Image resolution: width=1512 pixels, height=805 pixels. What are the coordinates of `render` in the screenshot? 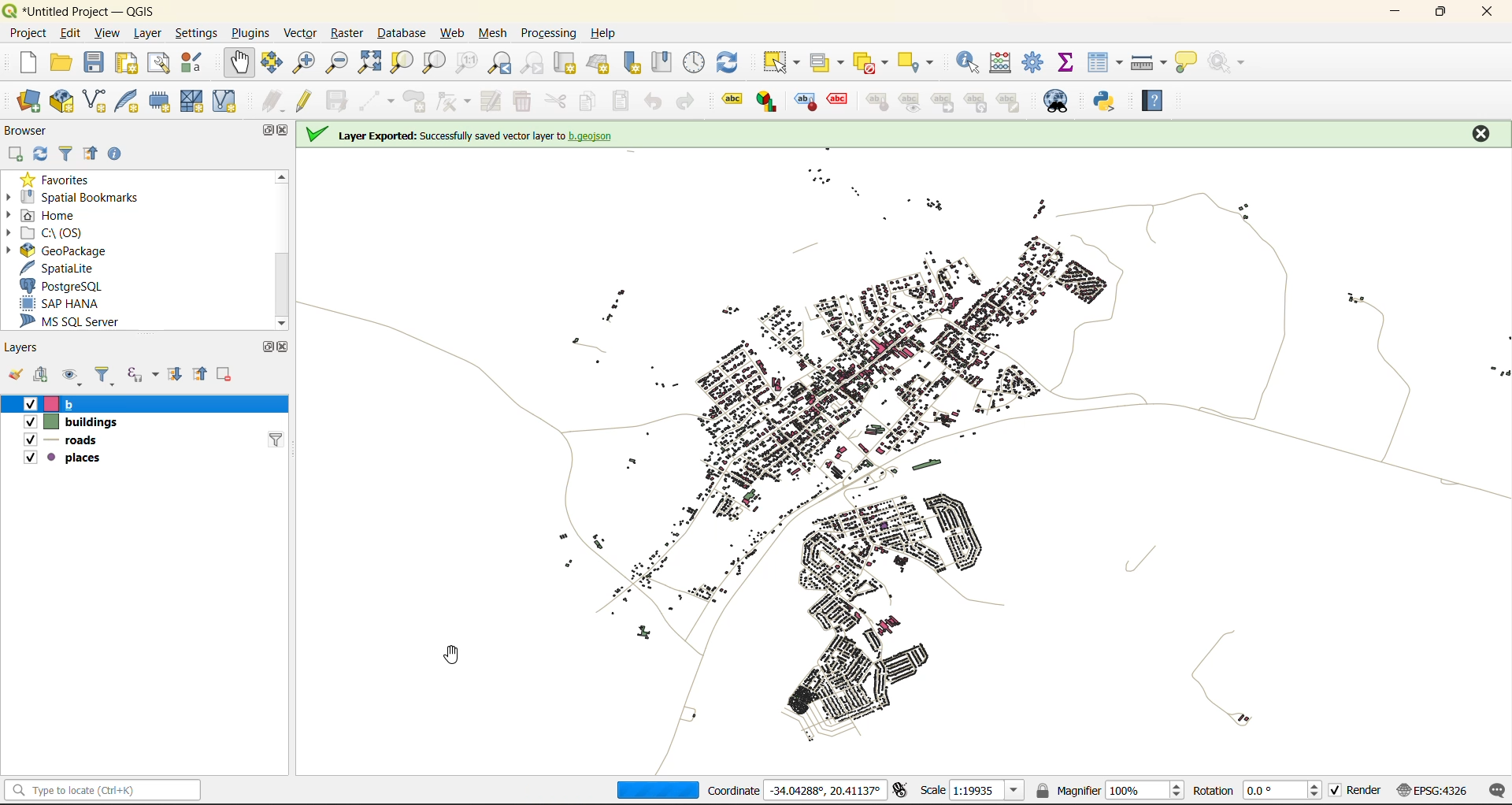 It's located at (1357, 791).